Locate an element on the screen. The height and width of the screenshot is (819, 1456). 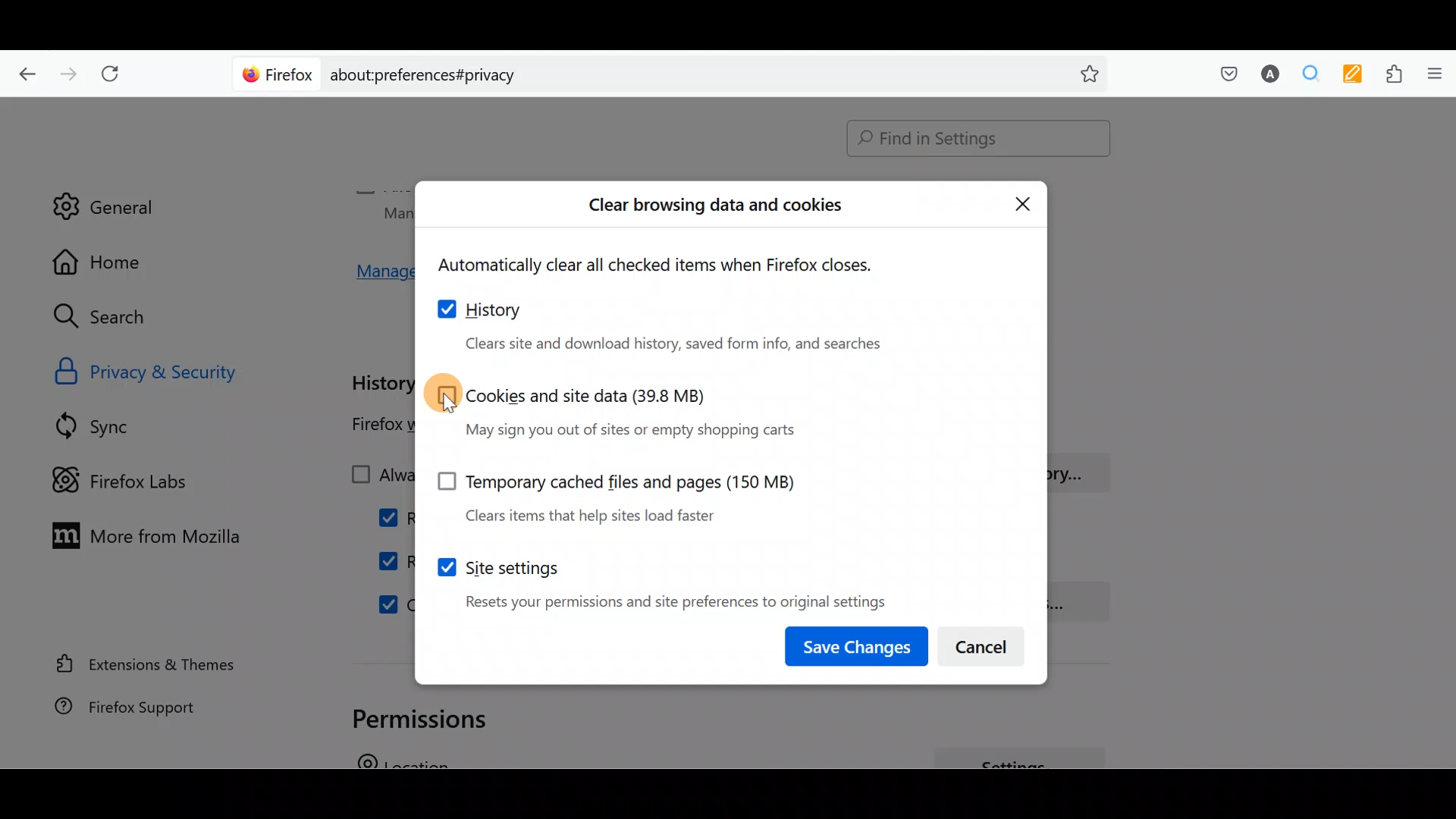
cursor is located at coordinates (448, 405).